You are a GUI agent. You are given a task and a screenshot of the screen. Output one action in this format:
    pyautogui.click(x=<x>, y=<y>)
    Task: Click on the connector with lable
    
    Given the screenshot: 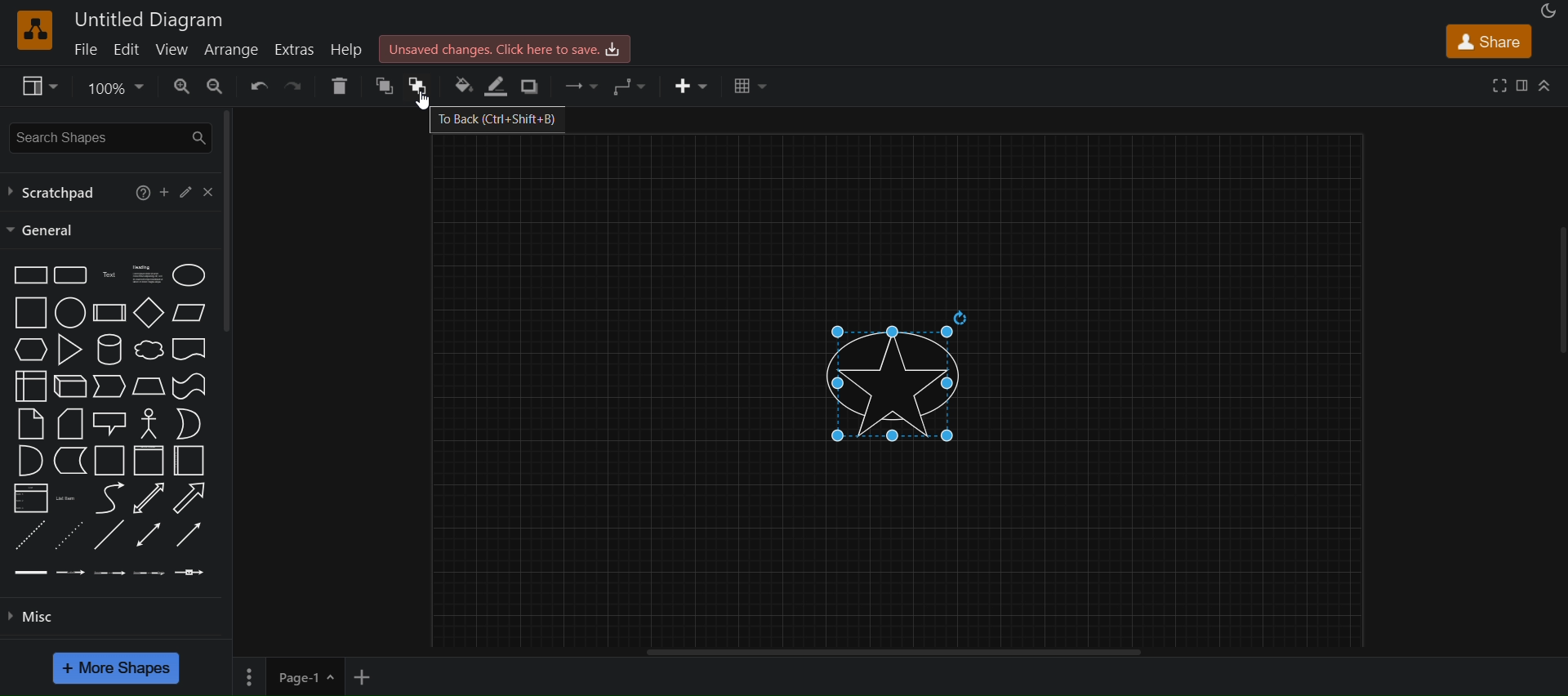 What is the action you would take?
    pyautogui.click(x=69, y=573)
    